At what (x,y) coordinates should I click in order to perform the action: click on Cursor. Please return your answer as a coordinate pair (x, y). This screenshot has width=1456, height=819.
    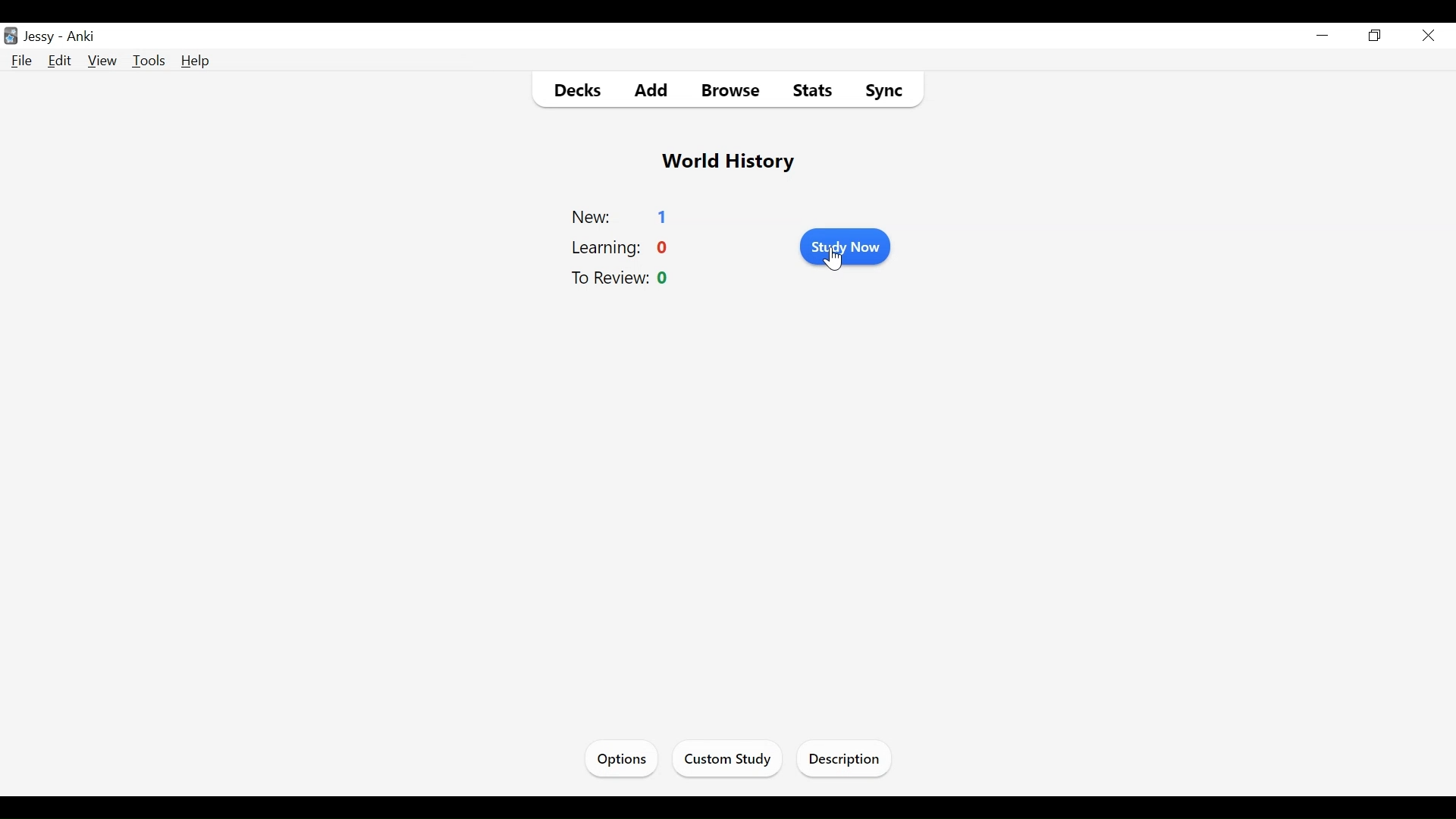
    Looking at the image, I should click on (834, 258).